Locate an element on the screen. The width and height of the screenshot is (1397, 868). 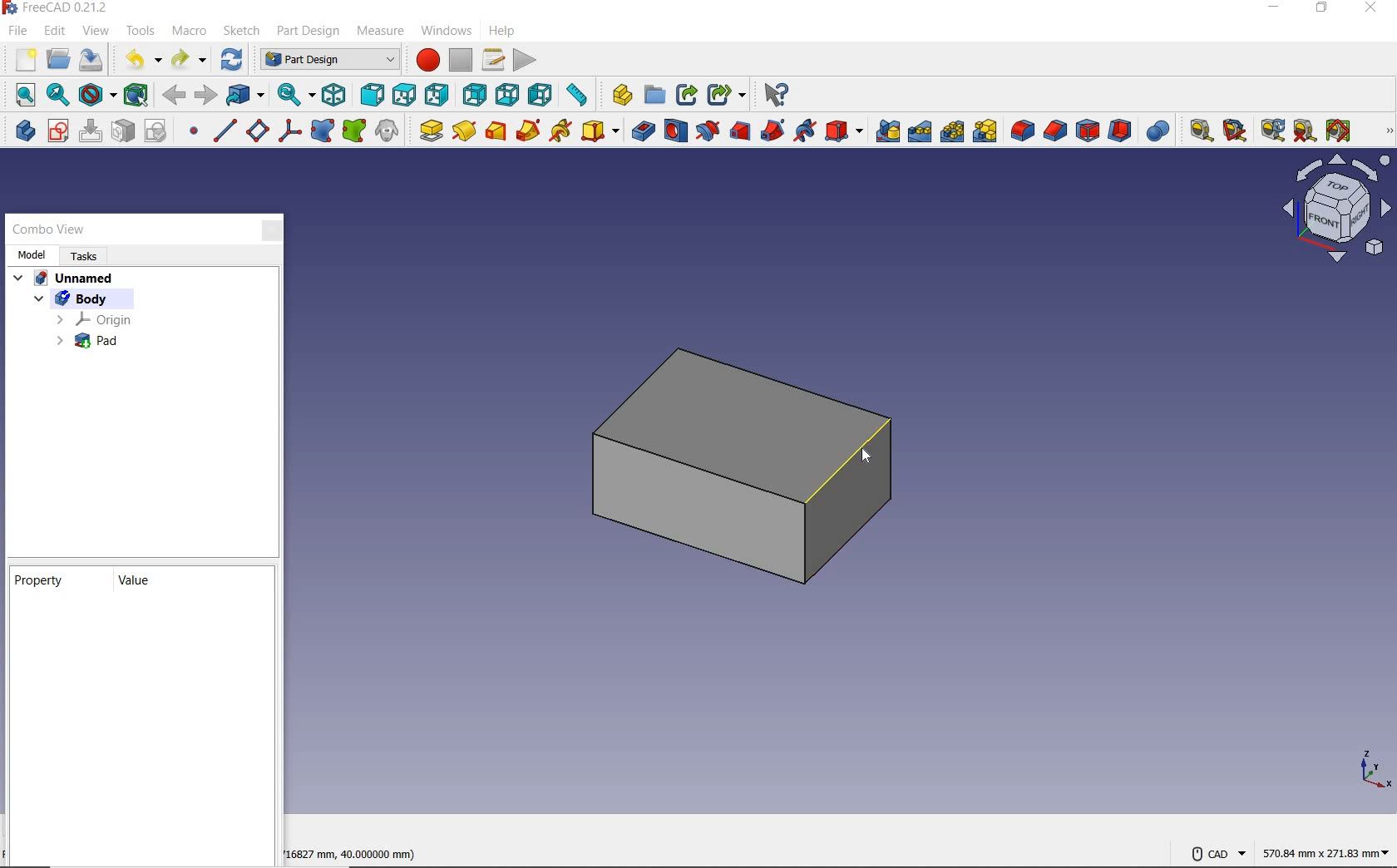
body is located at coordinates (90, 298).